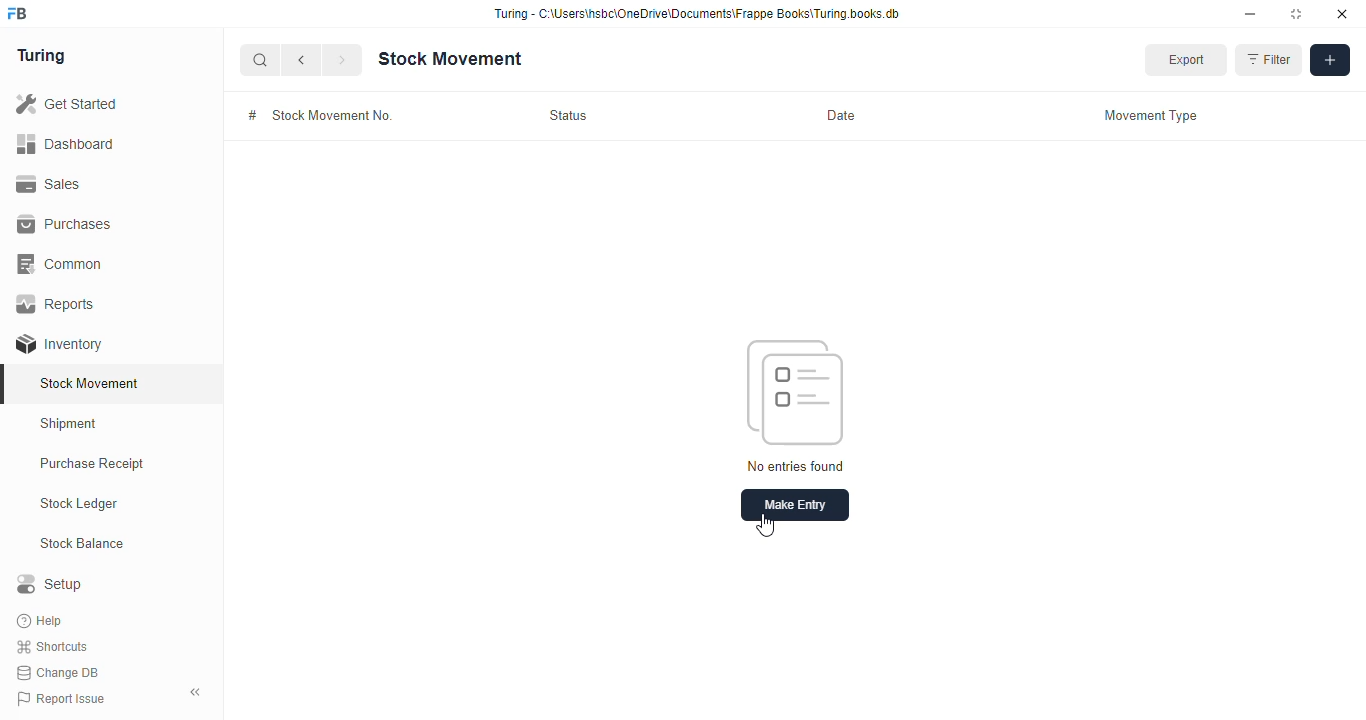 The height and width of the screenshot is (720, 1366). I want to click on stock movement no., so click(333, 115).